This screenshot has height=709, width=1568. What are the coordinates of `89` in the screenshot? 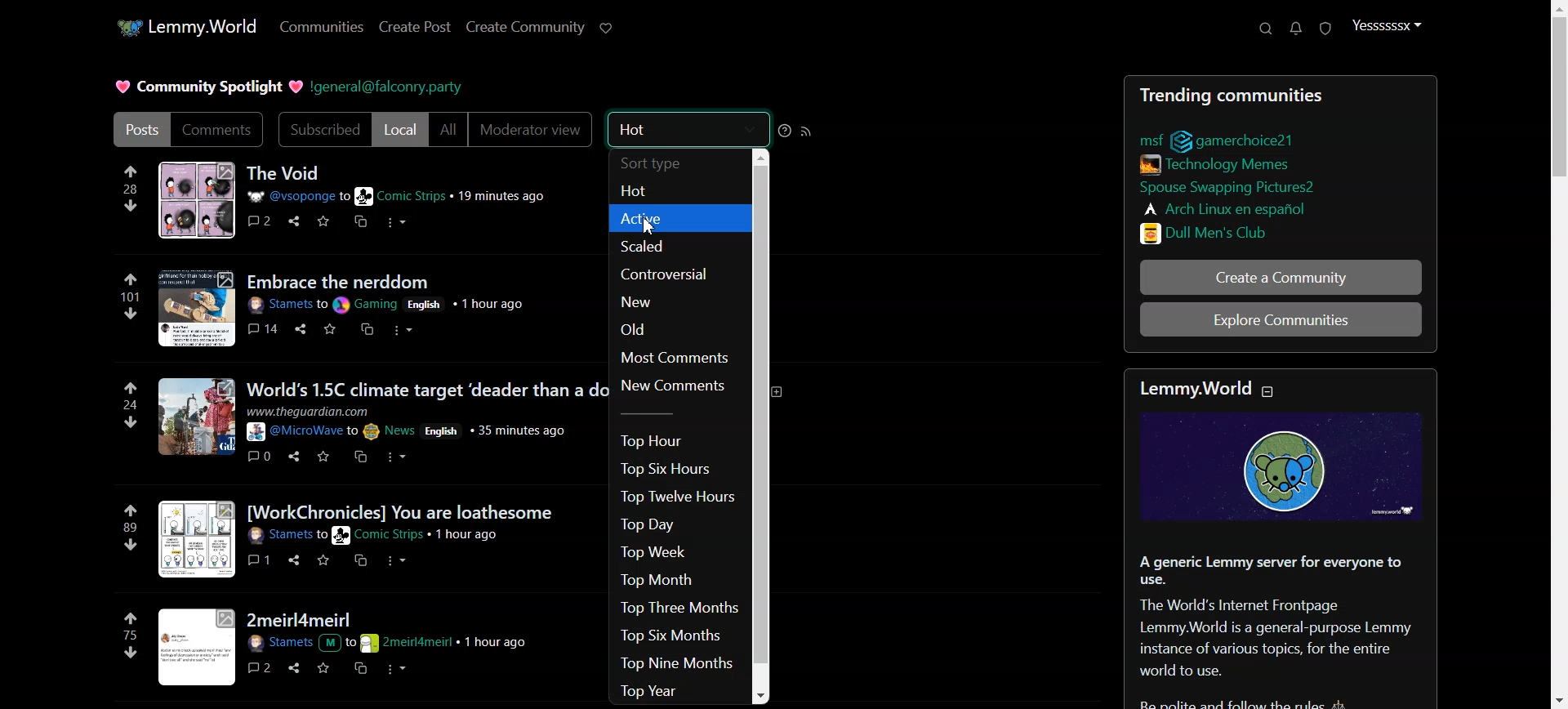 It's located at (129, 528).